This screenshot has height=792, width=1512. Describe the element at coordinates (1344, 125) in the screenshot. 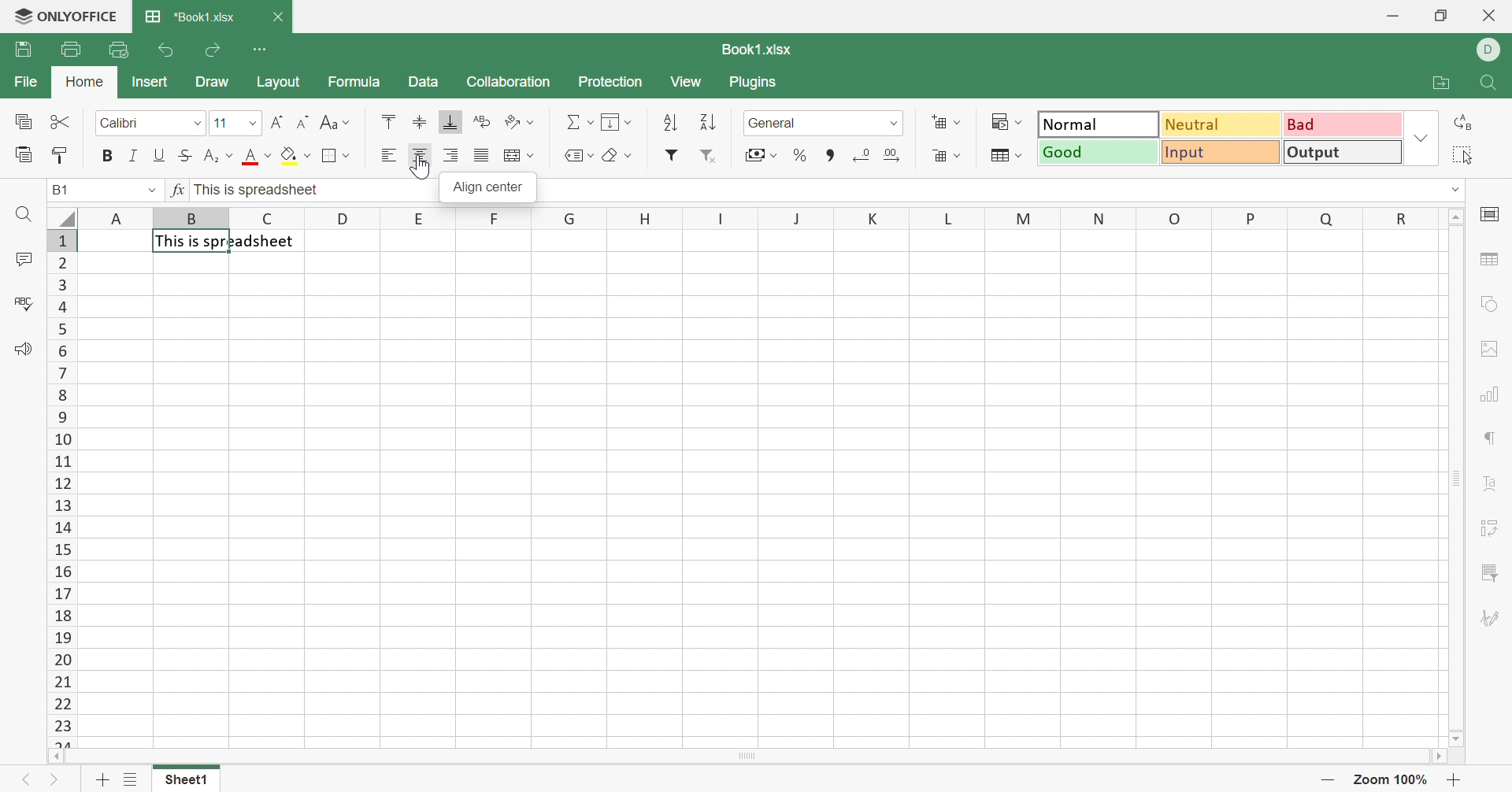

I see `Bad` at that location.